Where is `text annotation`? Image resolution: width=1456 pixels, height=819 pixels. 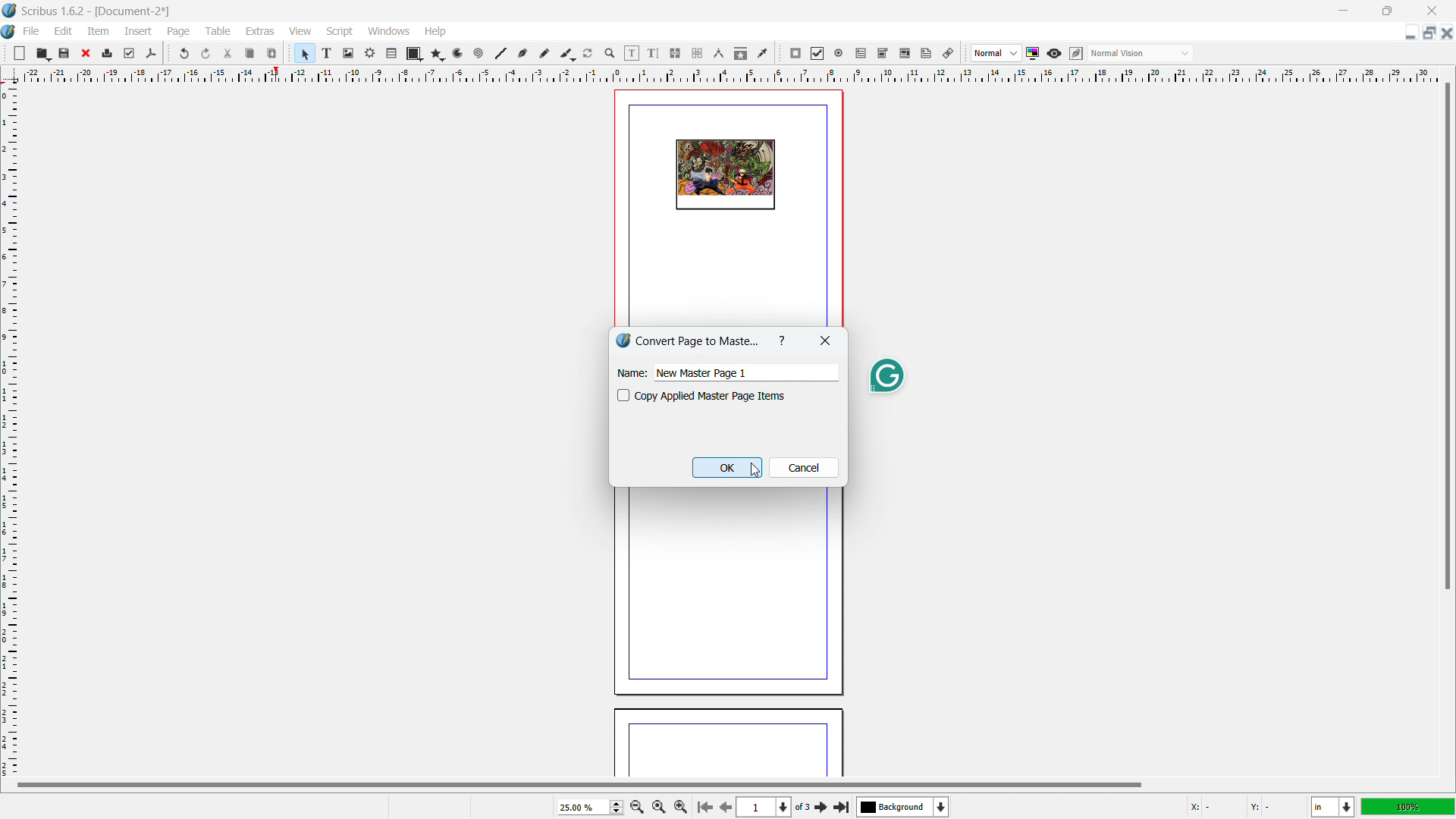 text annotation is located at coordinates (927, 54).